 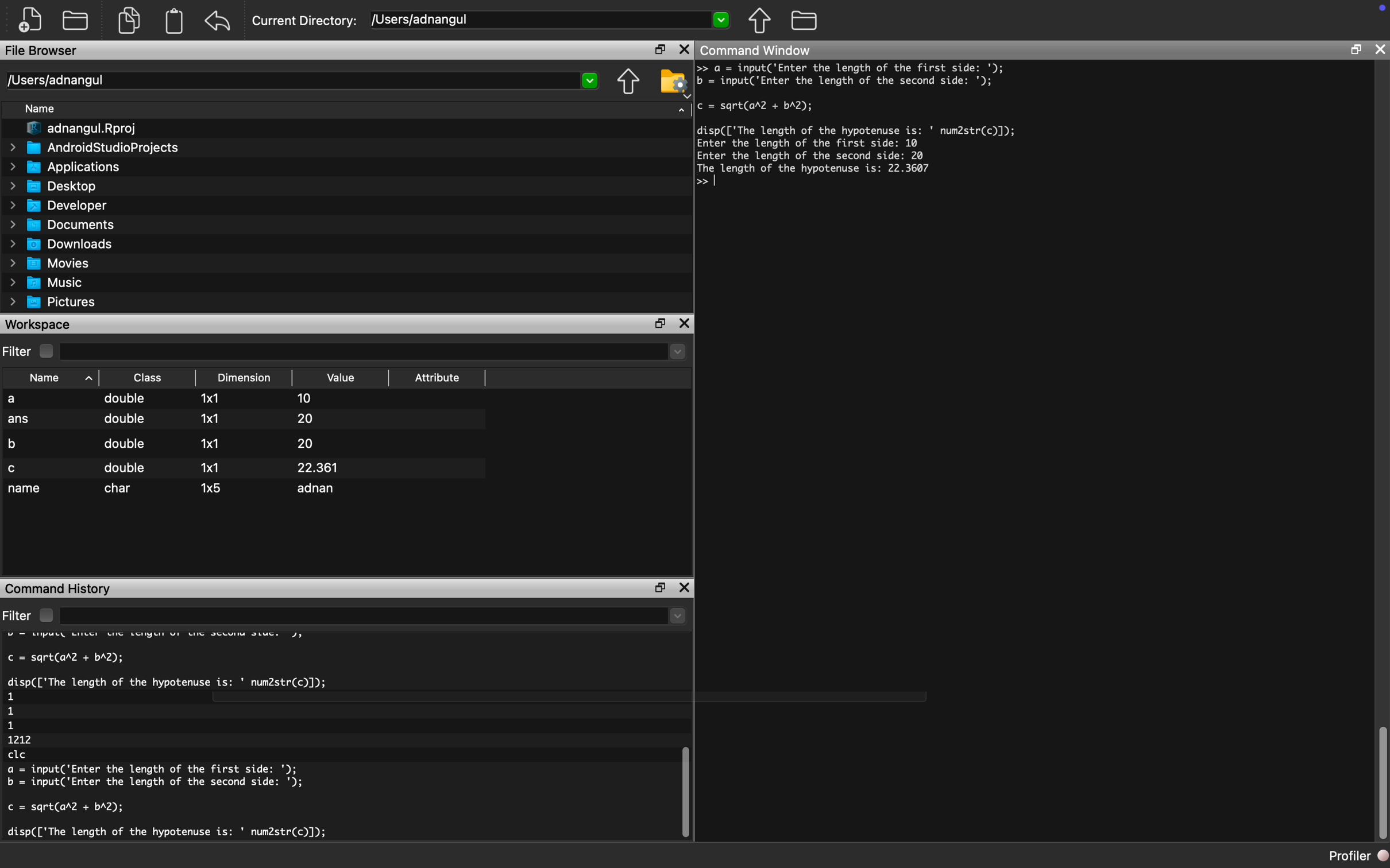 What do you see at coordinates (867, 134) in the screenshot?
I see `>> a = input('Enter the length of the first side: ');

> = input('Enter the length of the second side: ');

= = sqrt(ar2 + bA2);

1isp(['The length of the hypotenuse is: ' num2str(c)]);
Enter the length of the first side: 10

=nter the length of the second side: 20

rhe length of the hypotenuse is: 22.3607

>> |` at bounding box center [867, 134].